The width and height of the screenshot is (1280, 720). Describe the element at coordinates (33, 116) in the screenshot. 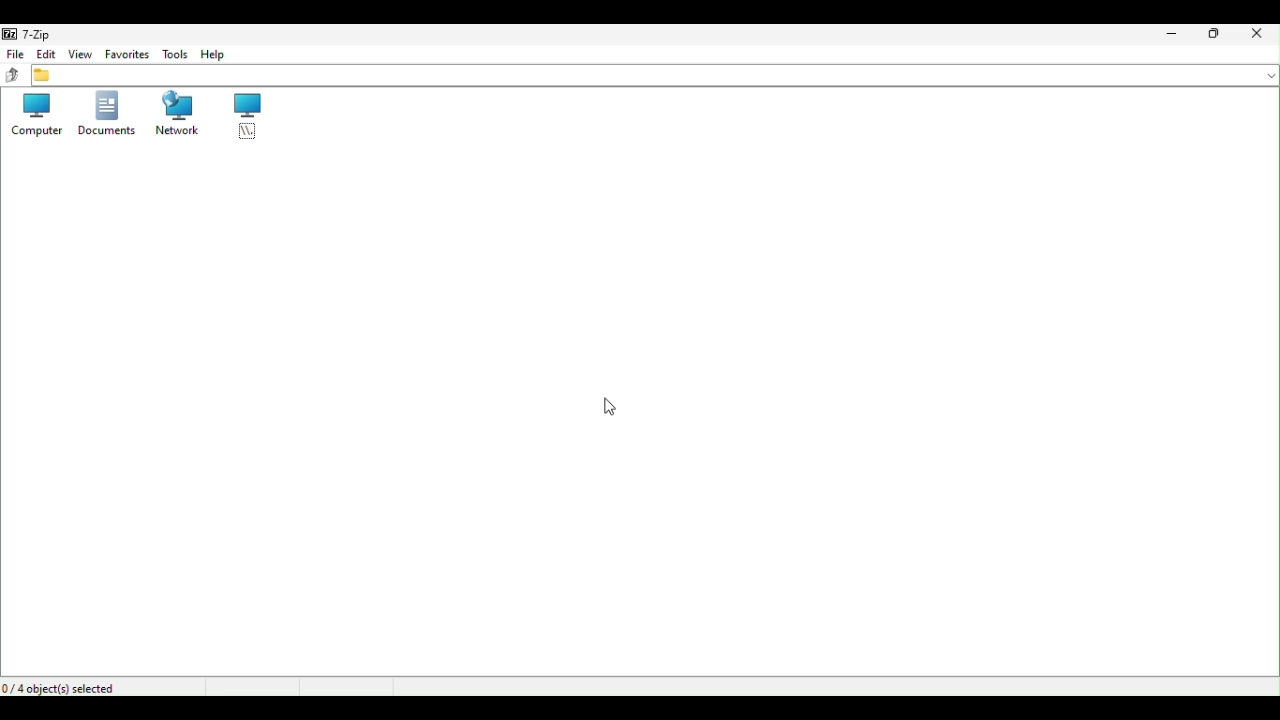

I see `Computers` at that location.